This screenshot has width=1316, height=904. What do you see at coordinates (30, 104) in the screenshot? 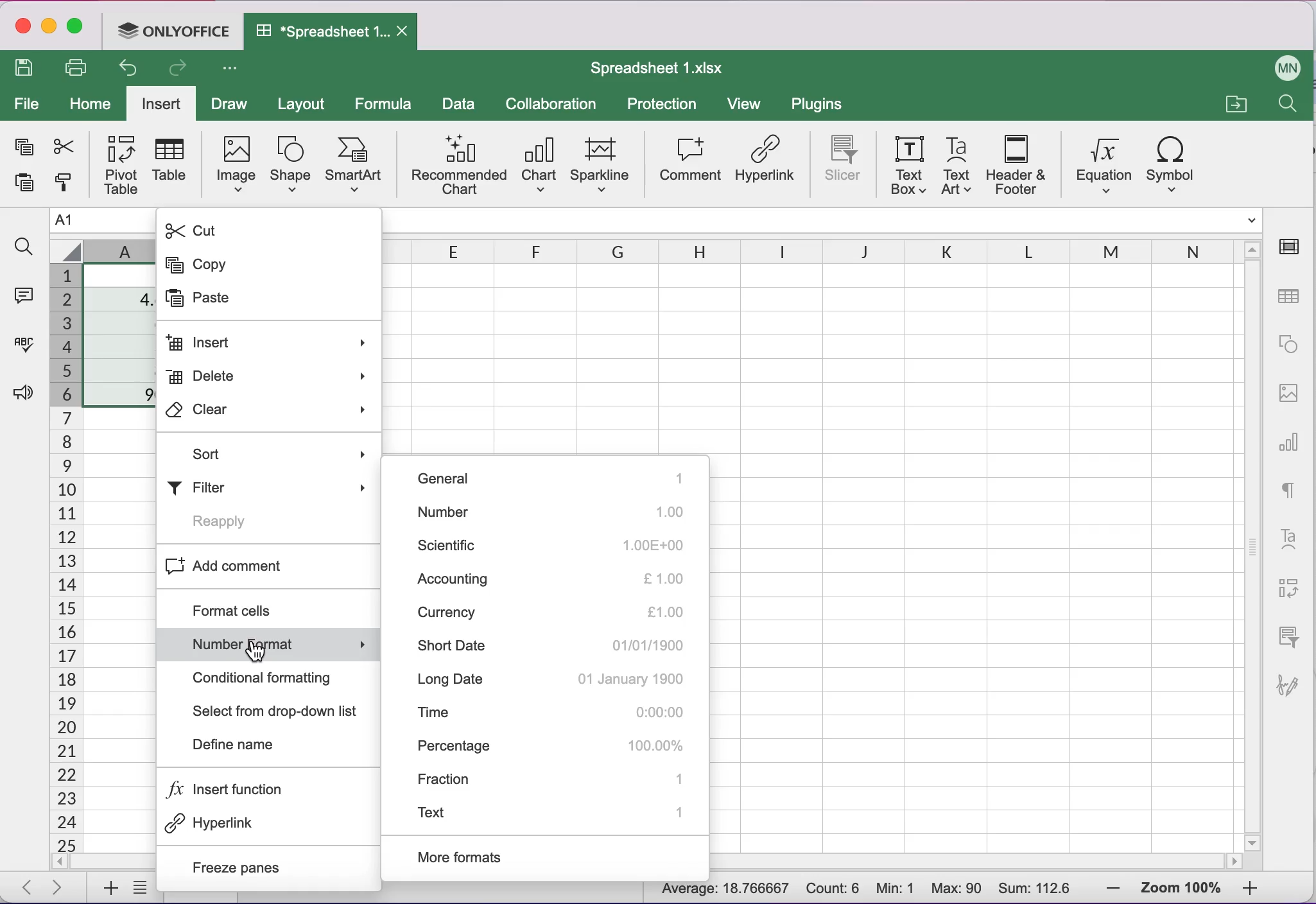
I see `file` at bounding box center [30, 104].